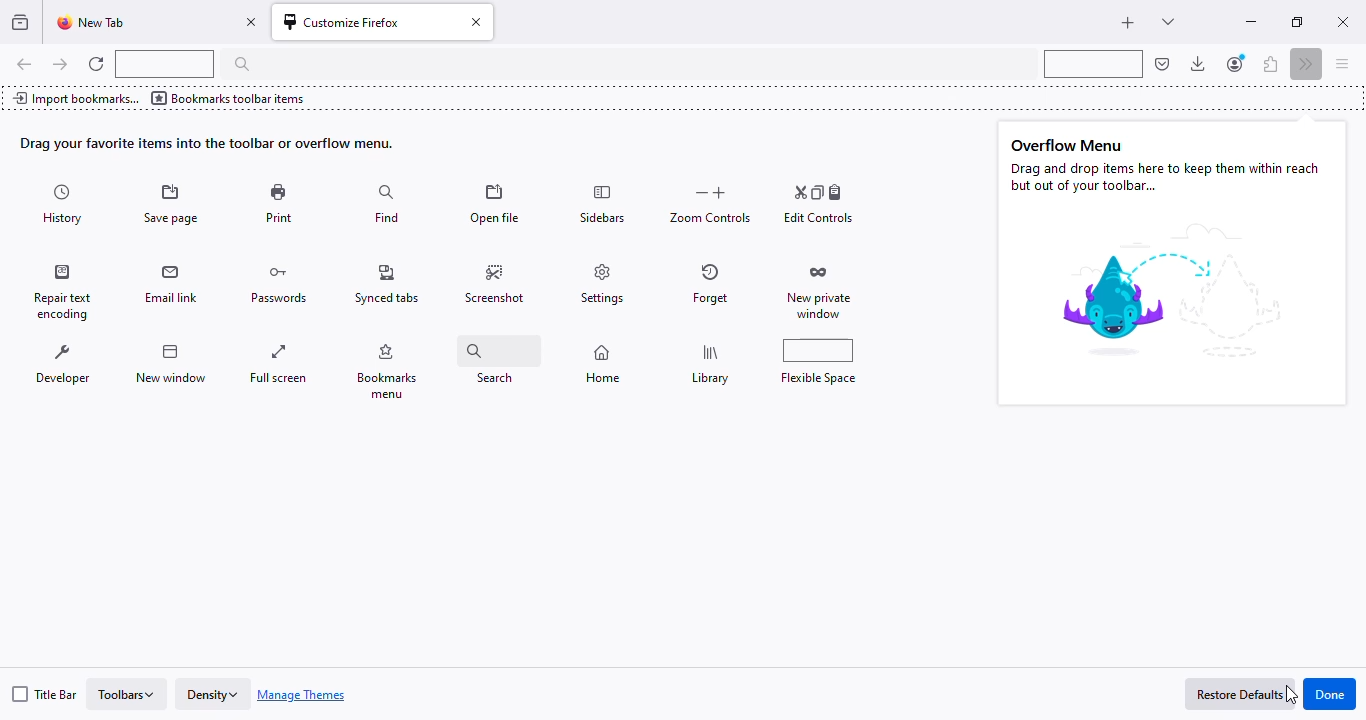 The height and width of the screenshot is (720, 1366). I want to click on view recent browsing across windows and devices., so click(20, 22).